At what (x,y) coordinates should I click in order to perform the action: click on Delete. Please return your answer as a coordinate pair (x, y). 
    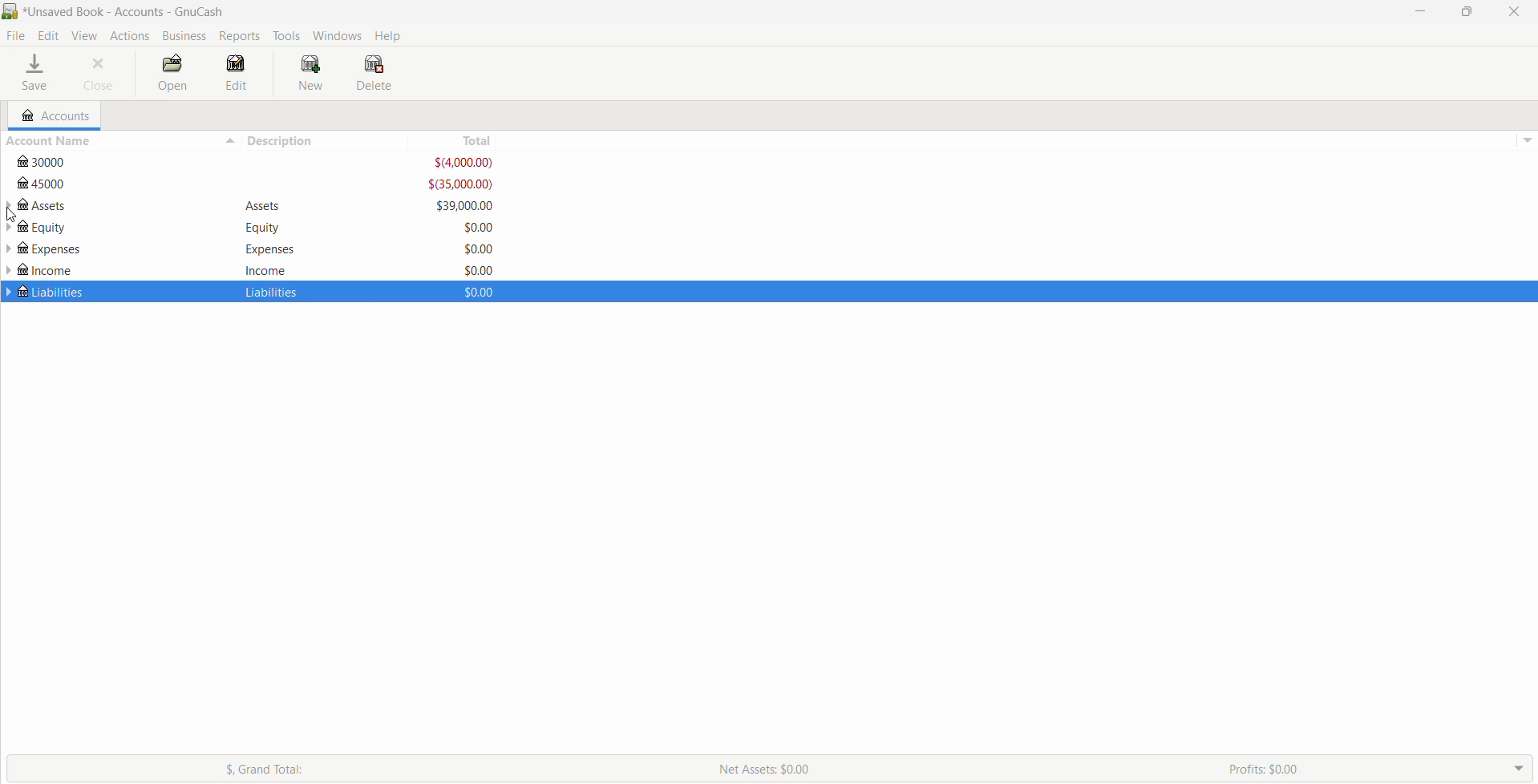
    Looking at the image, I should click on (374, 71).